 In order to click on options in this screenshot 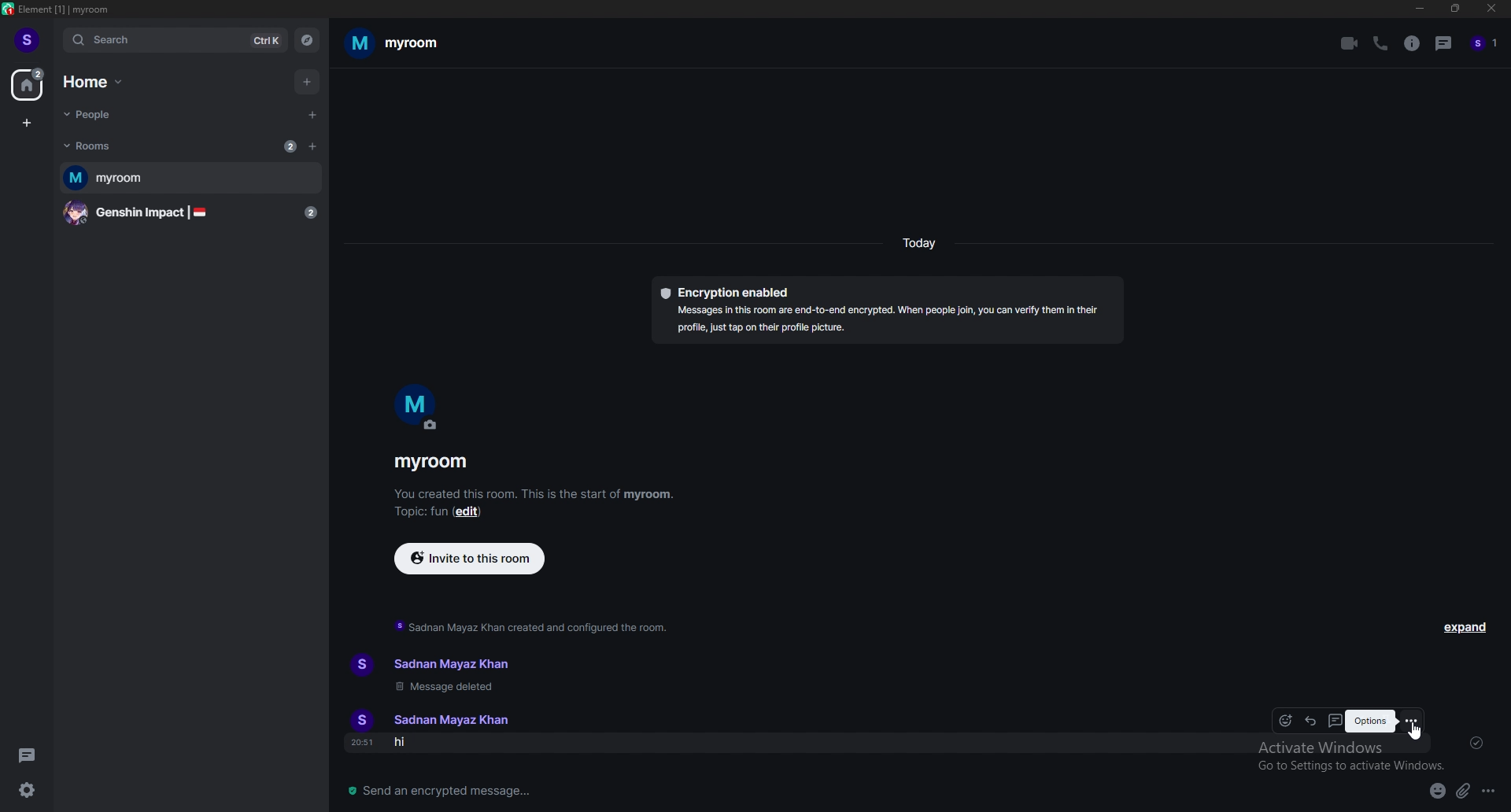, I will do `click(1491, 790)`.